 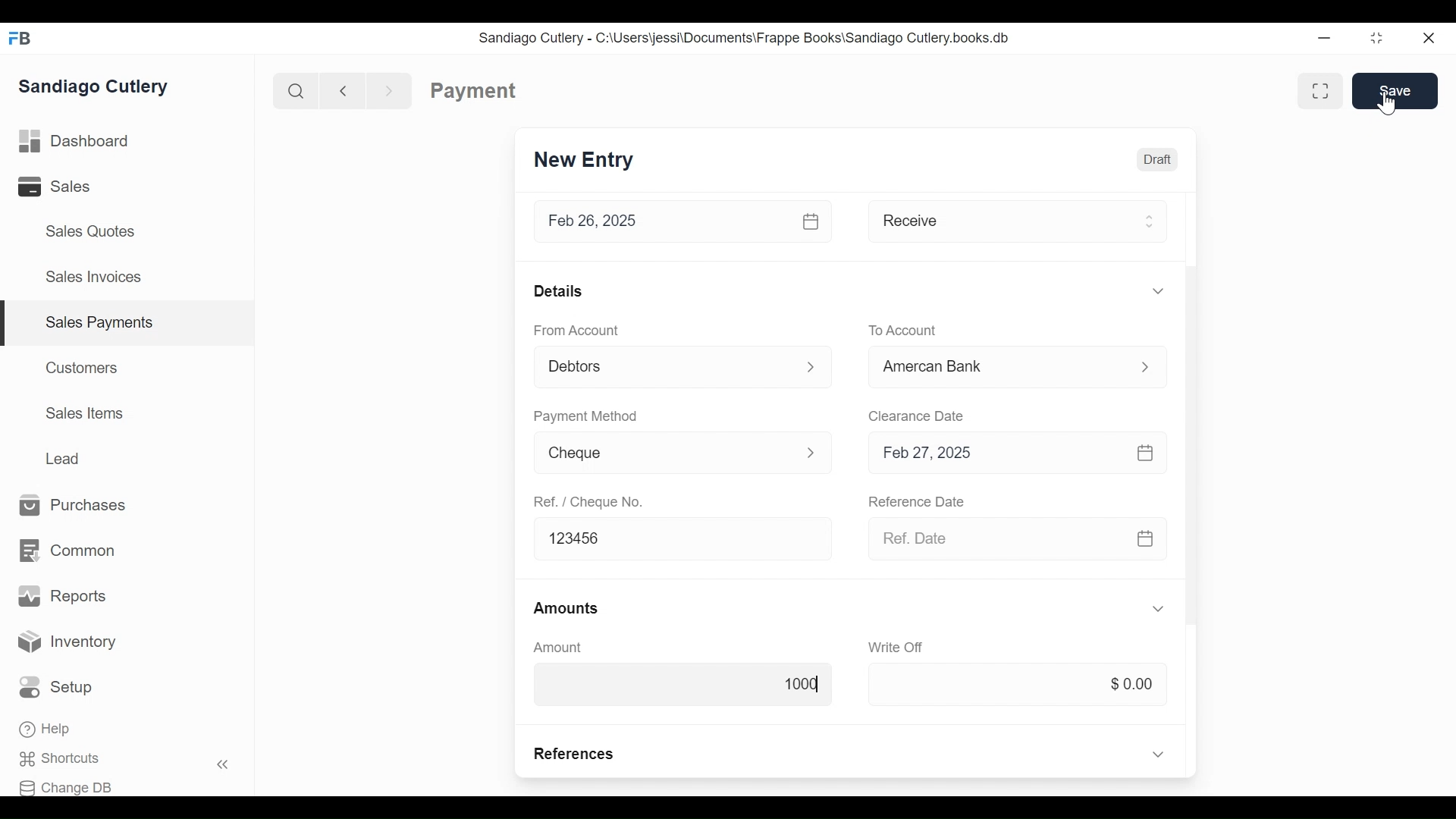 I want to click on Debtors, so click(x=664, y=365).